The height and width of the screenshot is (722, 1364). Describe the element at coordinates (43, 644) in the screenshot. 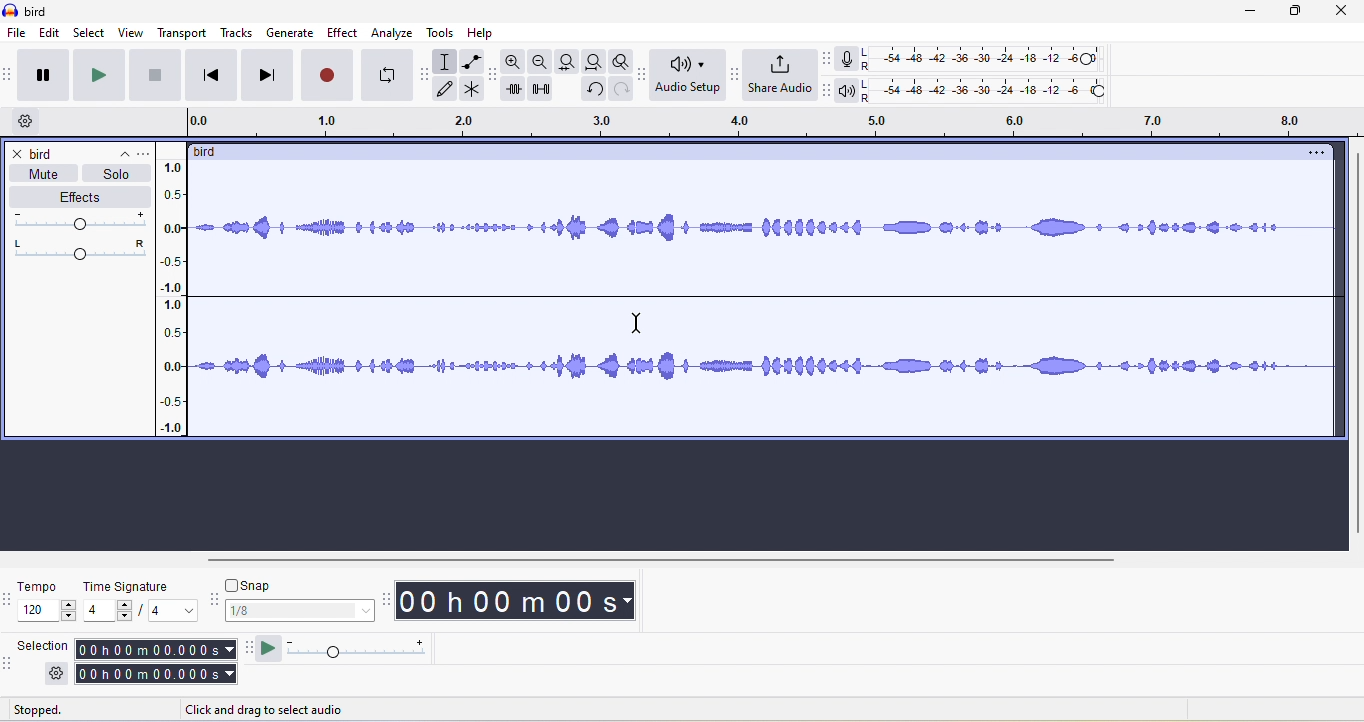

I see `selection` at that location.